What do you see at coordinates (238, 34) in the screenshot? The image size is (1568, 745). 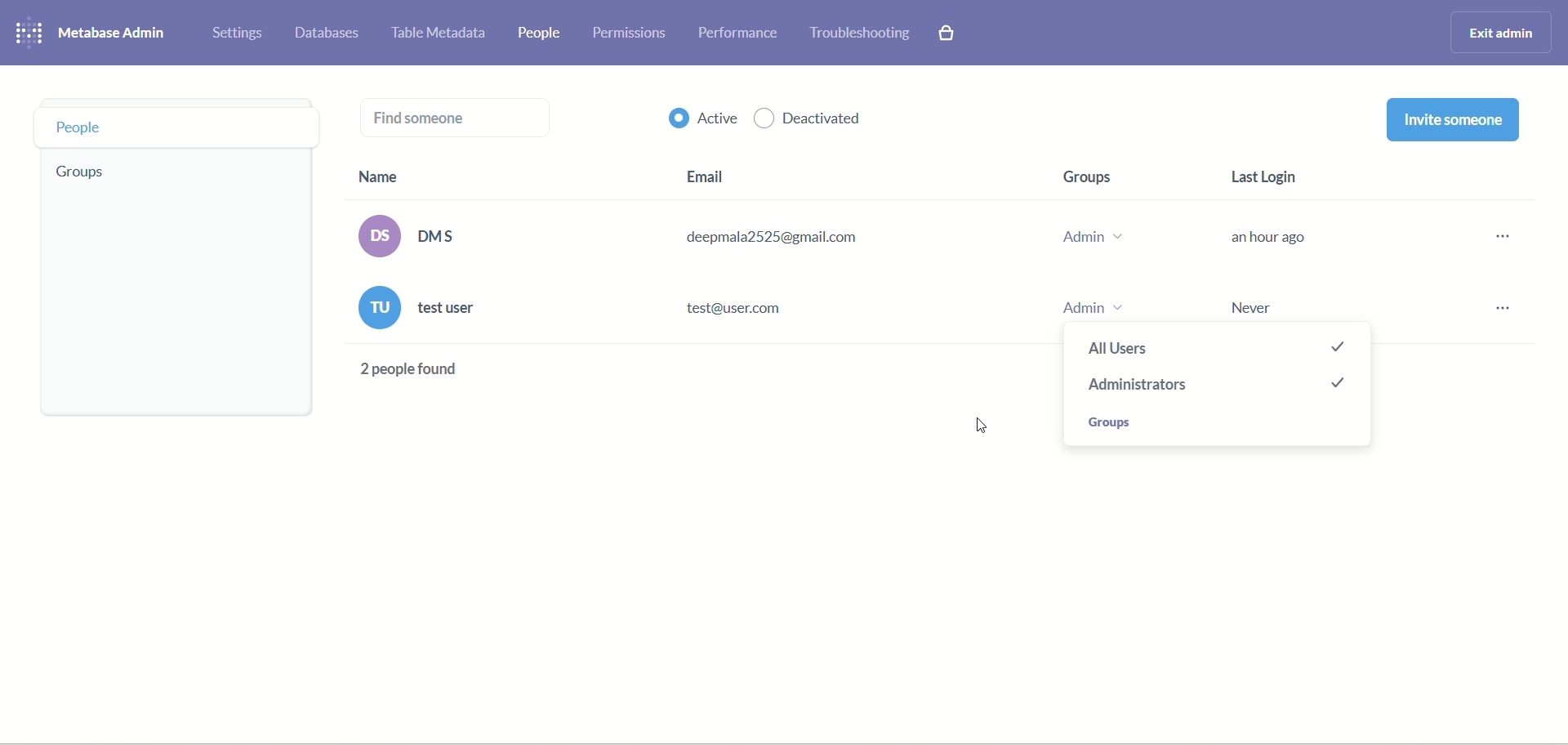 I see `settings` at bounding box center [238, 34].